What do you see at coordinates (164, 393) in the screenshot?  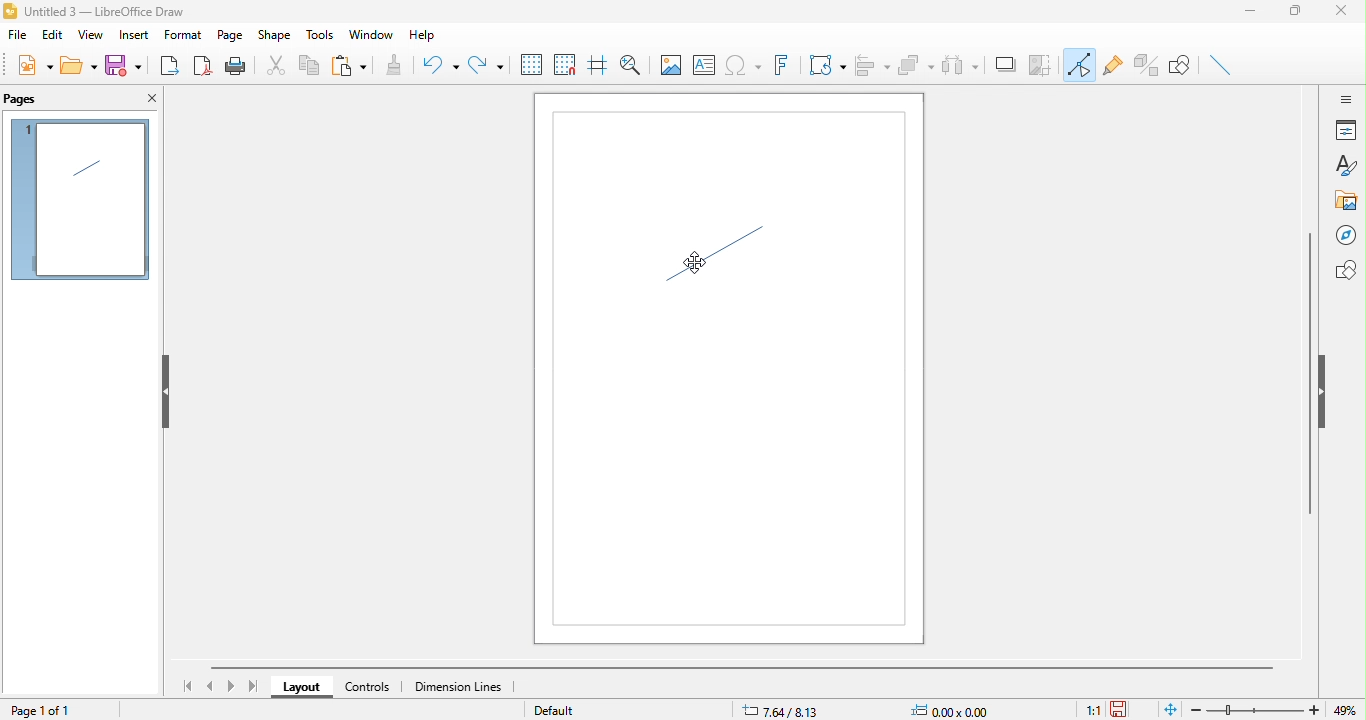 I see `hide` at bounding box center [164, 393].